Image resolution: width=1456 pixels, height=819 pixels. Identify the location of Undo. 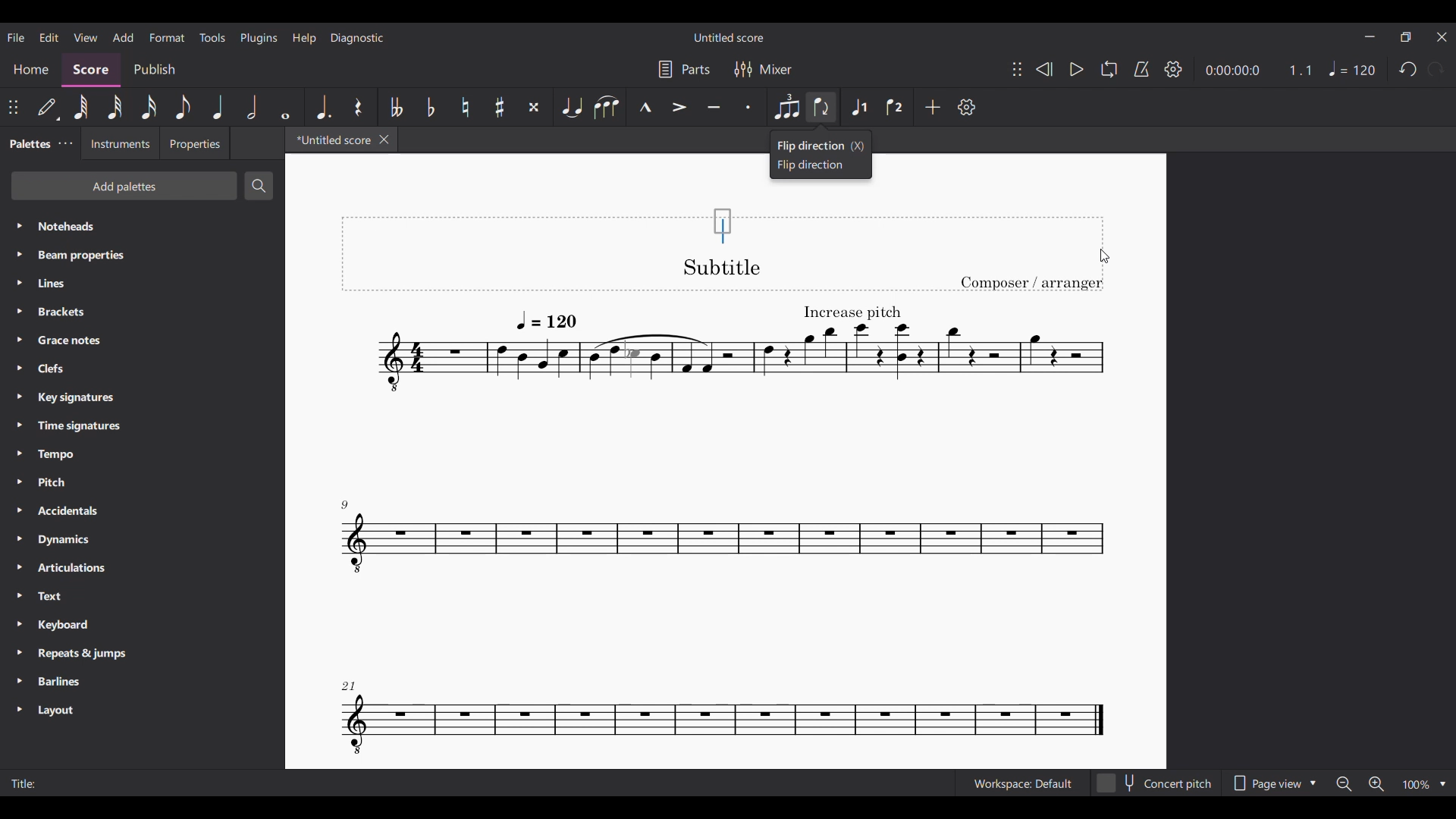
(1408, 70).